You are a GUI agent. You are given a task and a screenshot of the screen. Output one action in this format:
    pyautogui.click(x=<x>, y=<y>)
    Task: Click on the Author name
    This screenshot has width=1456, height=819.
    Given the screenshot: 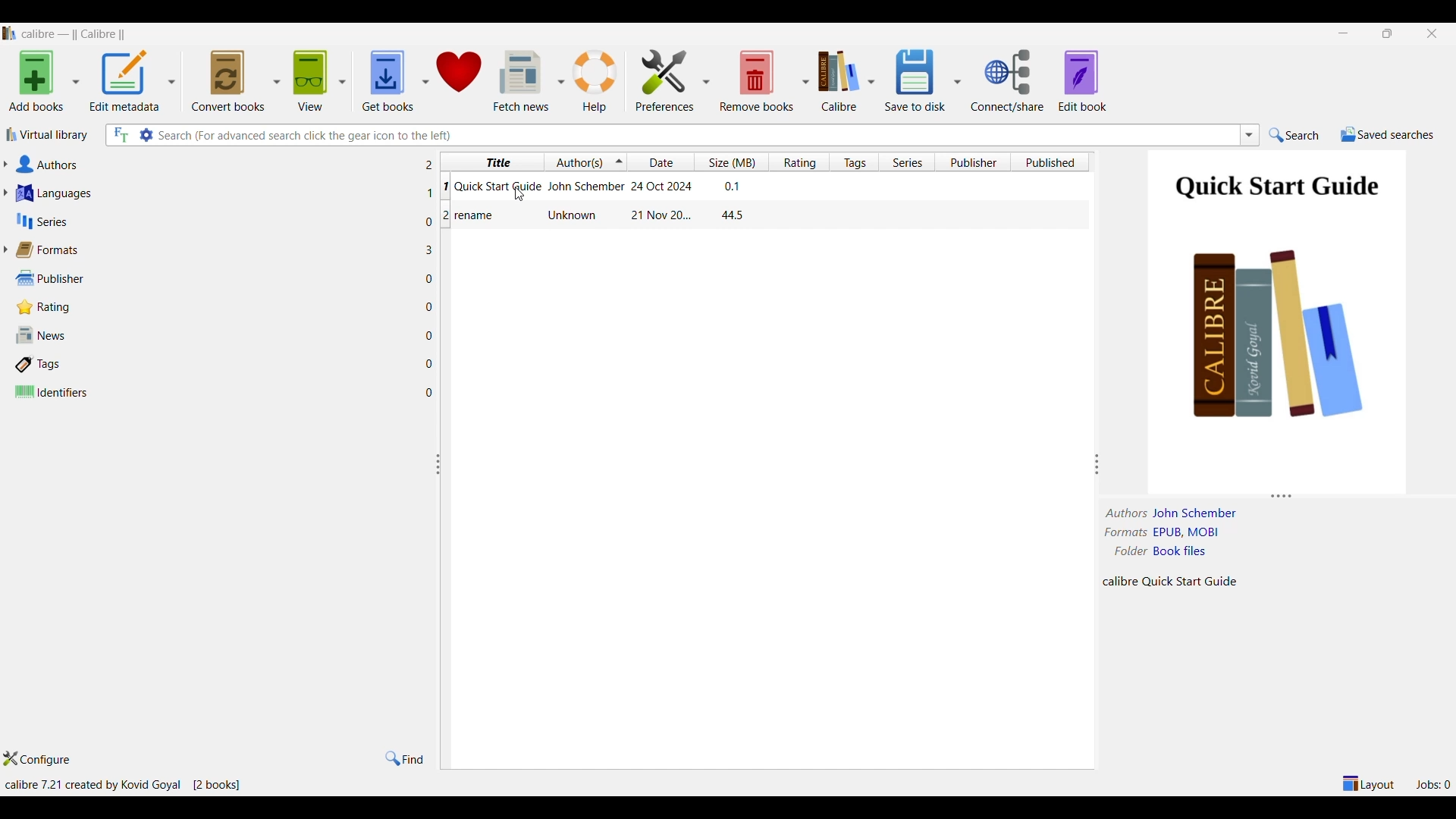 What is the action you would take?
    pyautogui.click(x=1197, y=513)
    